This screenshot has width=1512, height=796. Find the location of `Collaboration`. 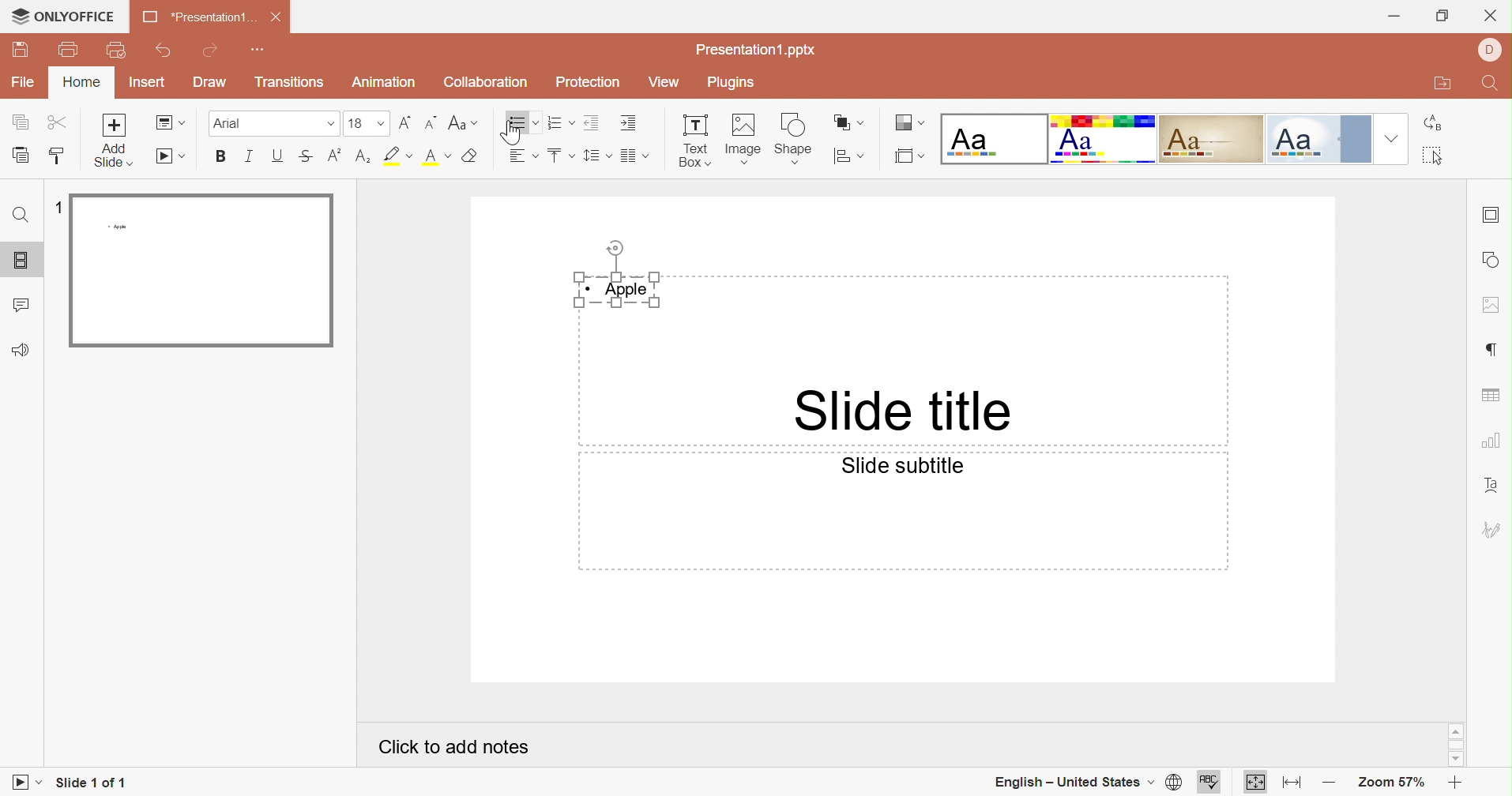

Collaboration is located at coordinates (485, 82).